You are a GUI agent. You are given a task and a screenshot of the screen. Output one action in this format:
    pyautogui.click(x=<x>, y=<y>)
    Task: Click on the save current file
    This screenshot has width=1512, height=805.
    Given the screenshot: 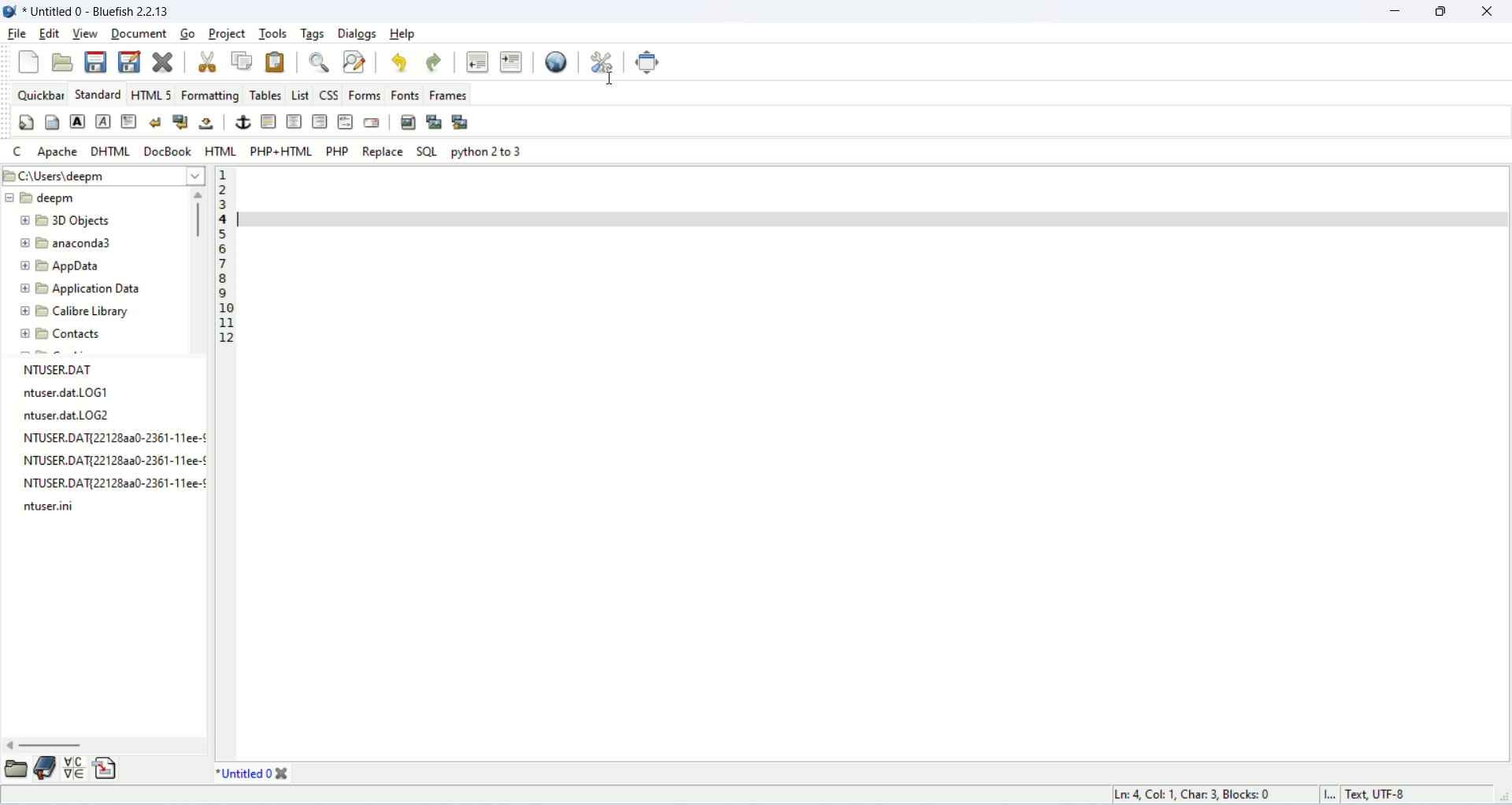 What is the action you would take?
    pyautogui.click(x=95, y=61)
    